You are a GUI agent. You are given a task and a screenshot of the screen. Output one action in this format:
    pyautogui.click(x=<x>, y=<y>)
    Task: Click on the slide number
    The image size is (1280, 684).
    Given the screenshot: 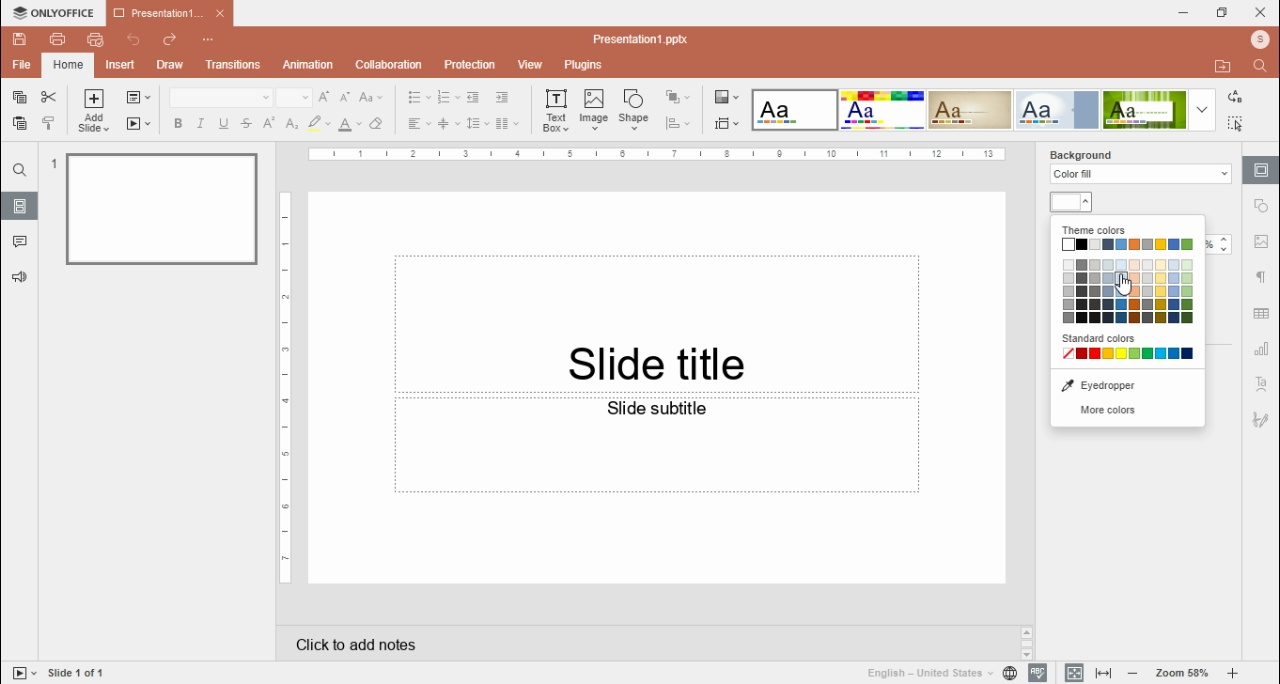 What is the action you would take?
    pyautogui.click(x=83, y=671)
    